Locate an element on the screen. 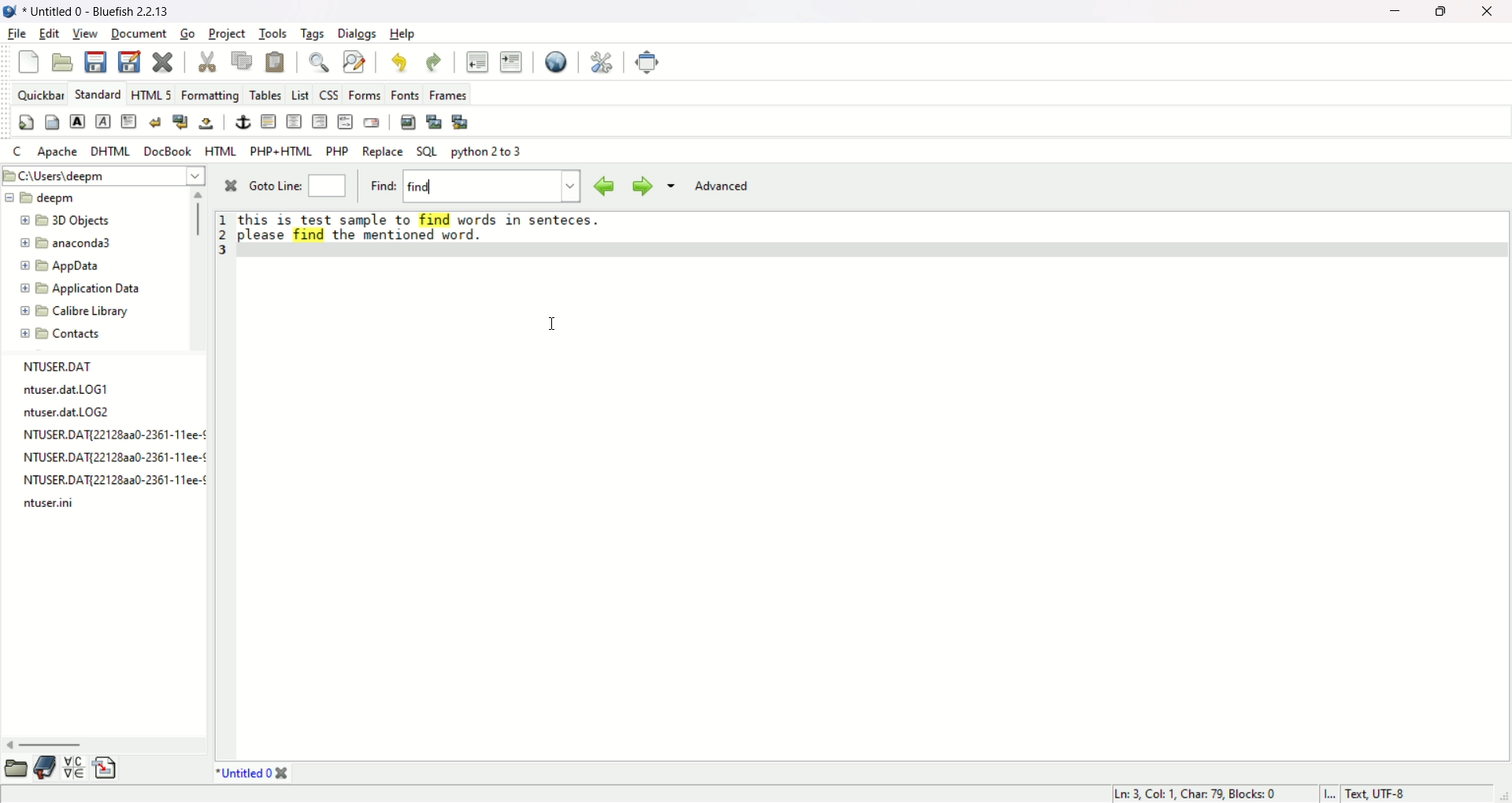 This screenshot has width=1512, height=803. anchor/hyperlink is located at coordinates (243, 121).